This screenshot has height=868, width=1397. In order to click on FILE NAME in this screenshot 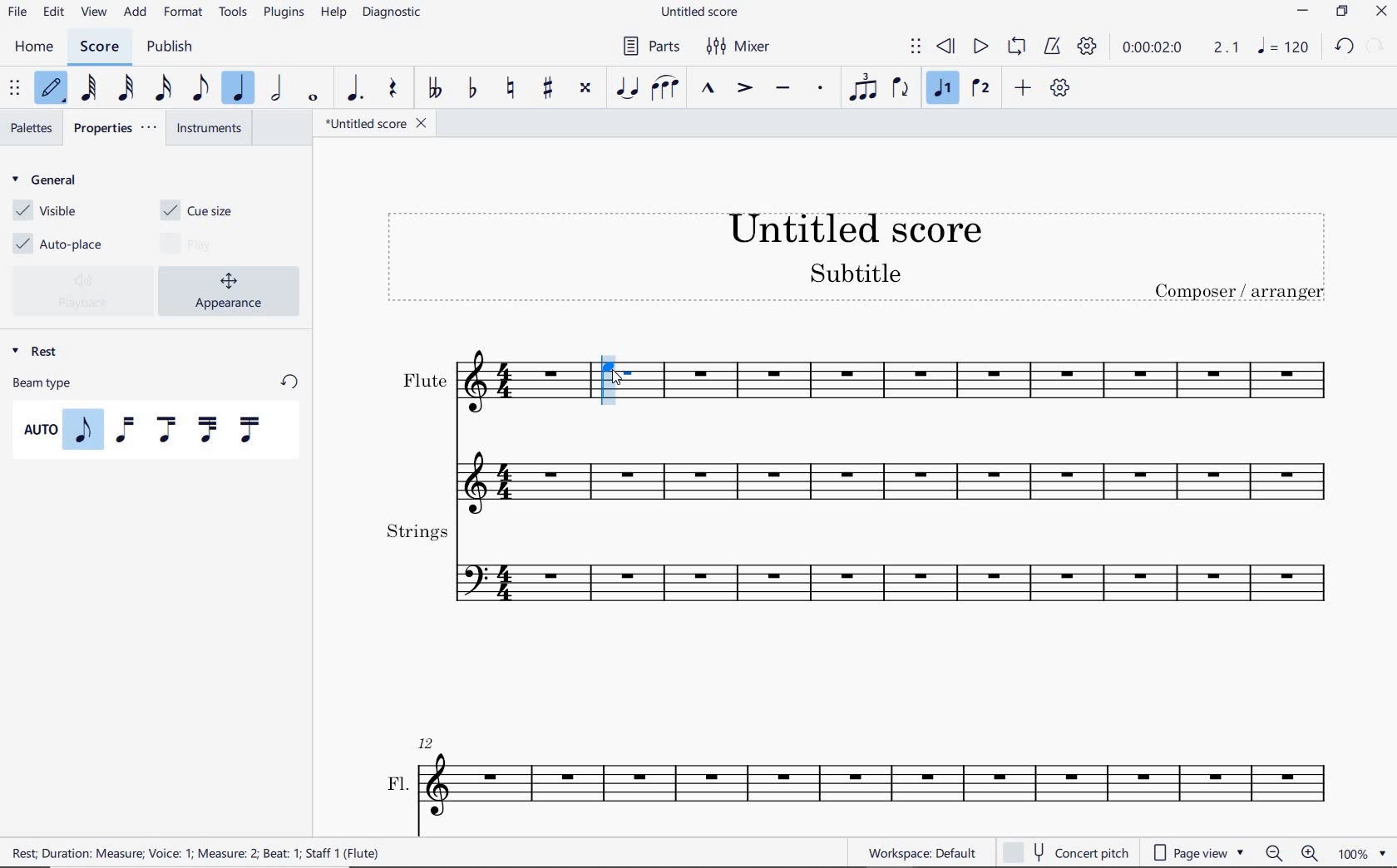, I will do `click(375, 123)`.